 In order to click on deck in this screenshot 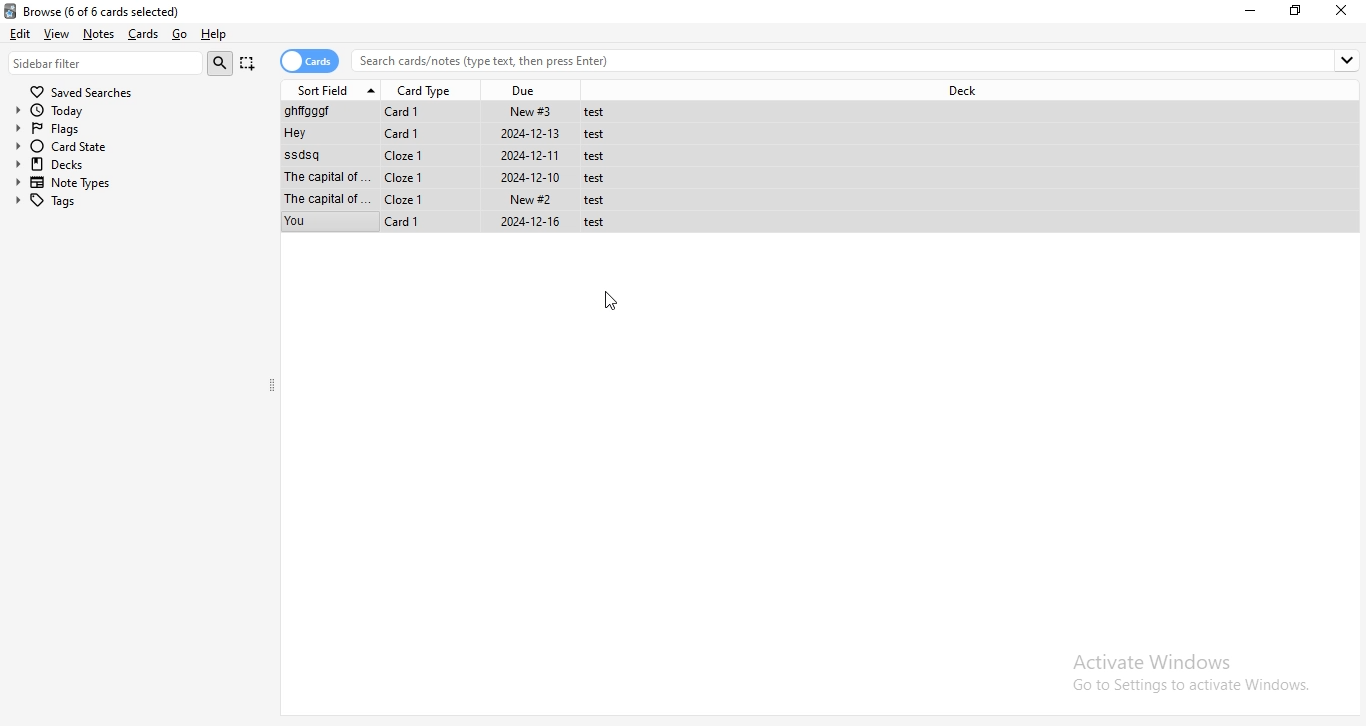, I will do `click(962, 91)`.